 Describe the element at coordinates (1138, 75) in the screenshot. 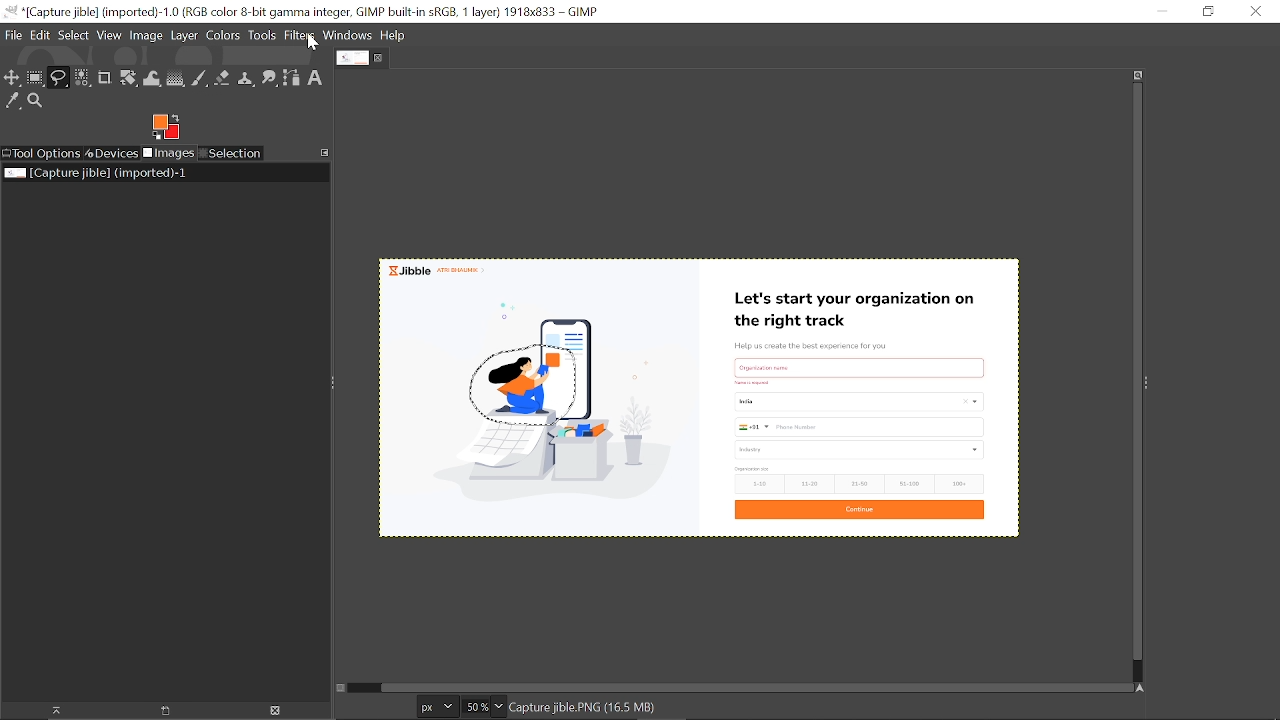

I see `Zoom when widow size changes` at that location.